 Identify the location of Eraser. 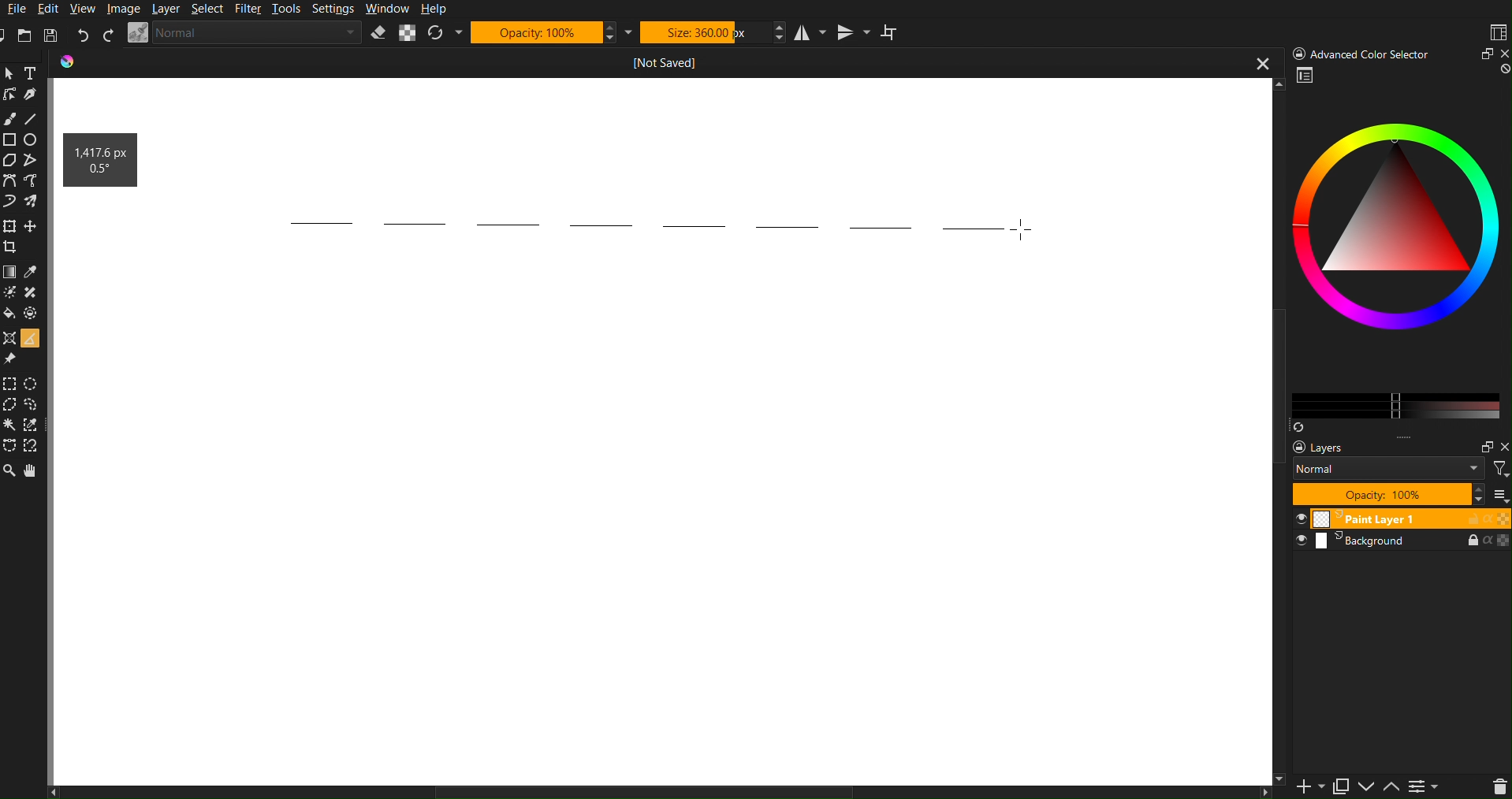
(378, 33).